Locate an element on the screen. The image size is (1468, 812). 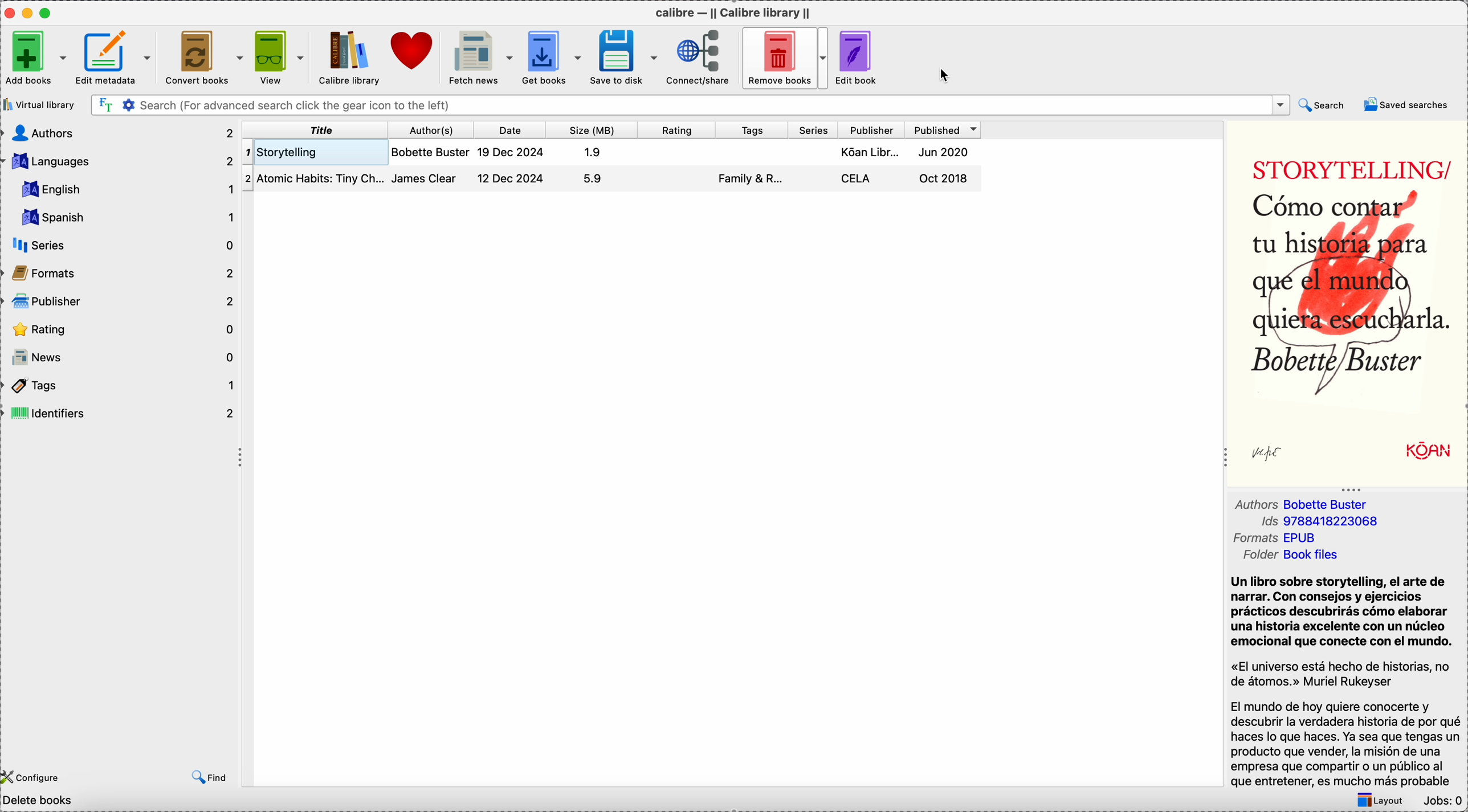
publisher is located at coordinates (871, 130).